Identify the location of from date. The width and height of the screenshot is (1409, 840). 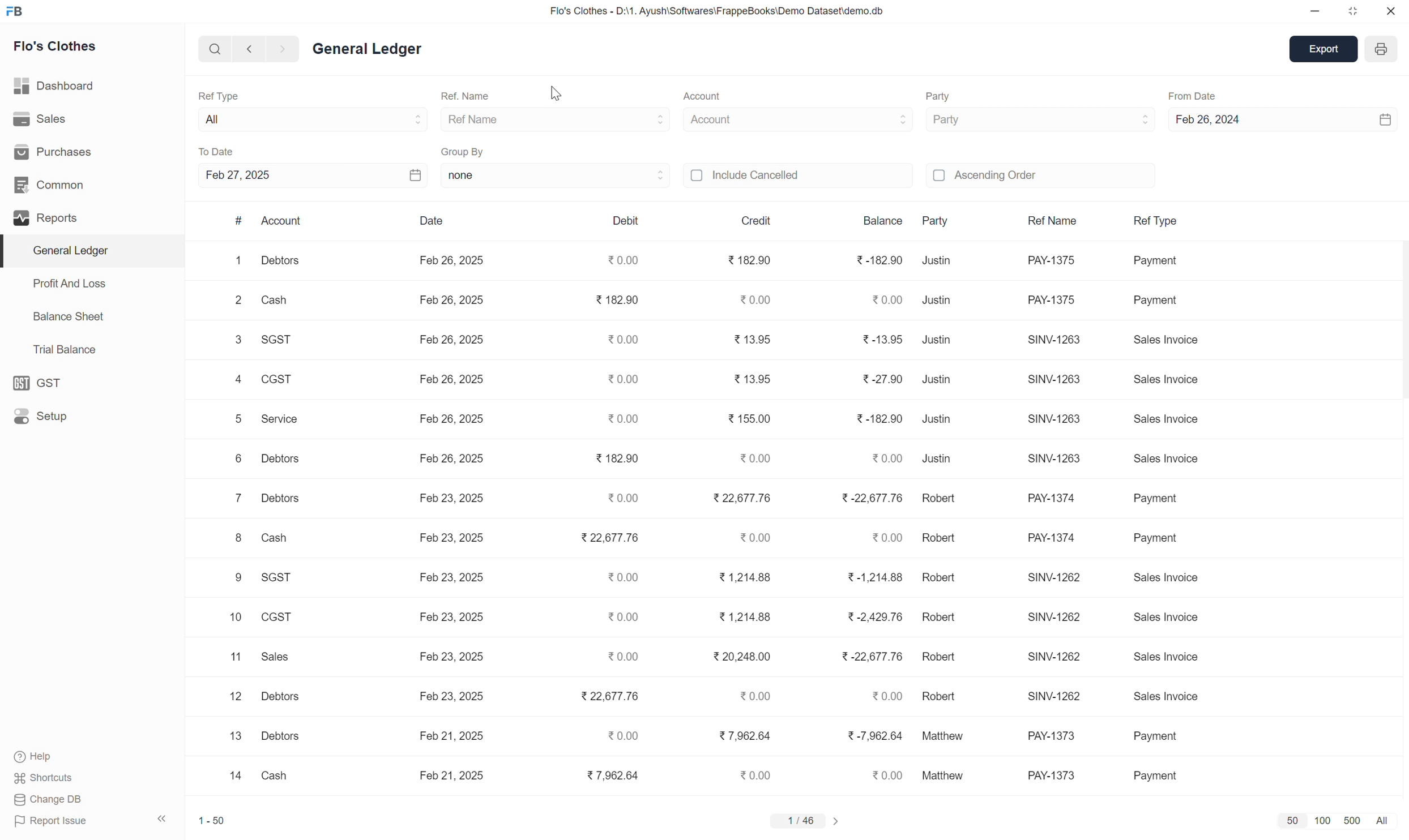
(1198, 96).